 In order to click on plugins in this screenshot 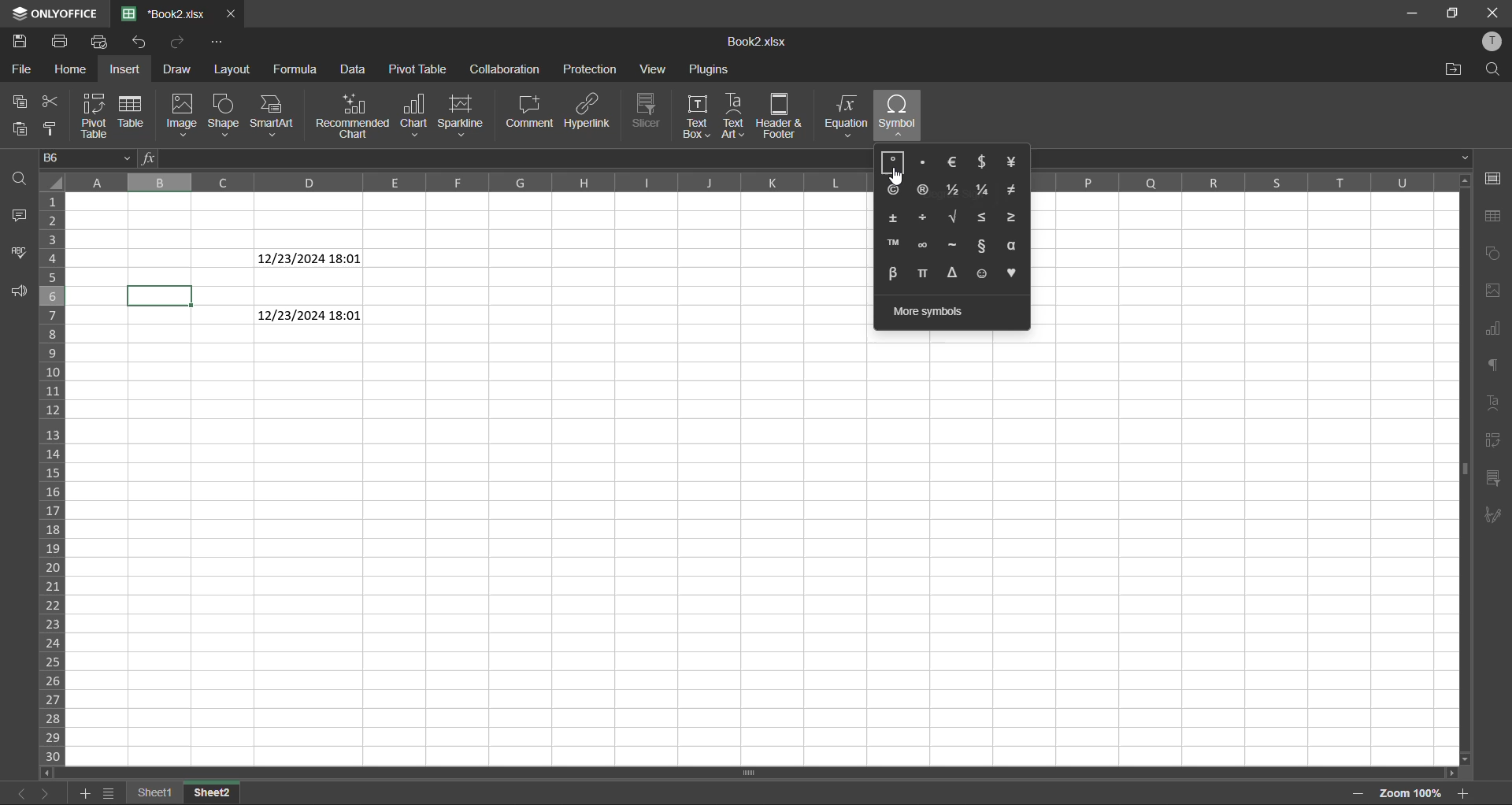, I will do `click(709, 69)`.